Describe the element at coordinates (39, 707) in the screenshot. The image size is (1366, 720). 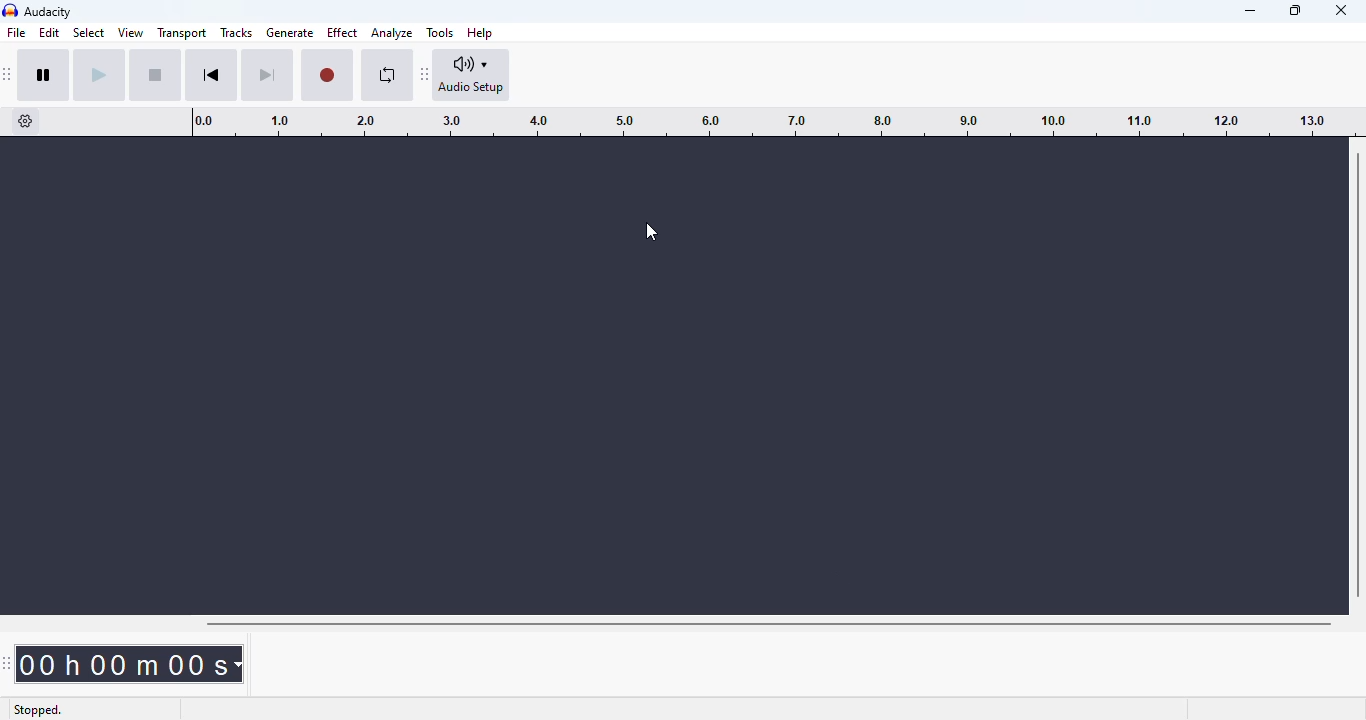
I see `stopped` at that location.